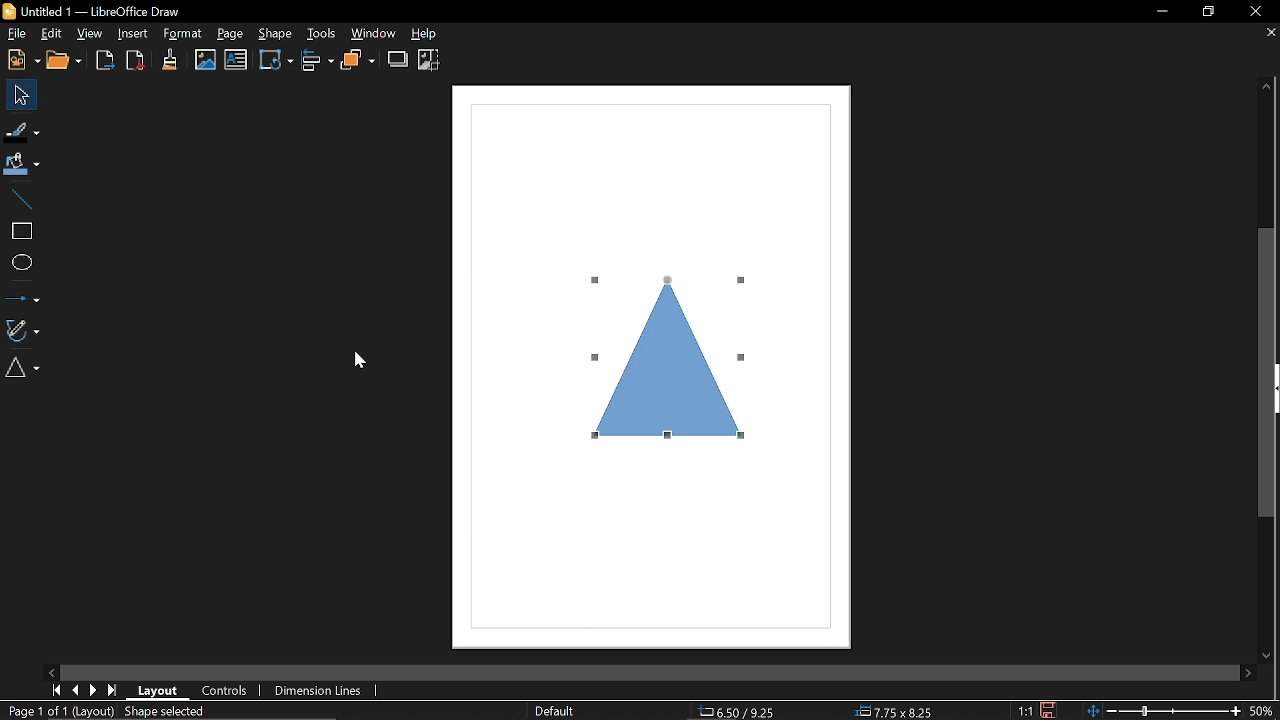  I want to click on Export as pdf, so click(136, 61).